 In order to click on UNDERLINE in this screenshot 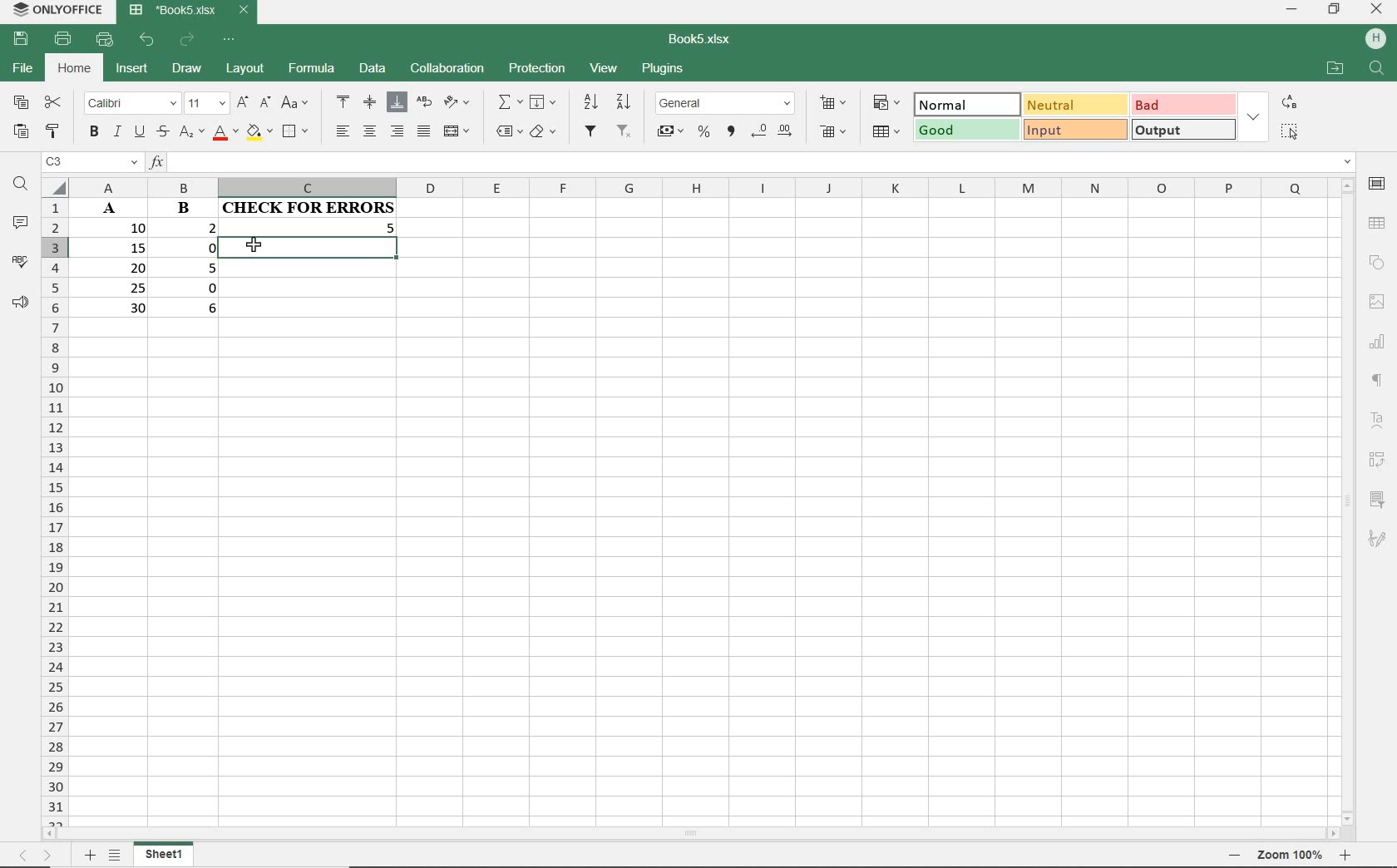, I will do `click(139, 132)`.